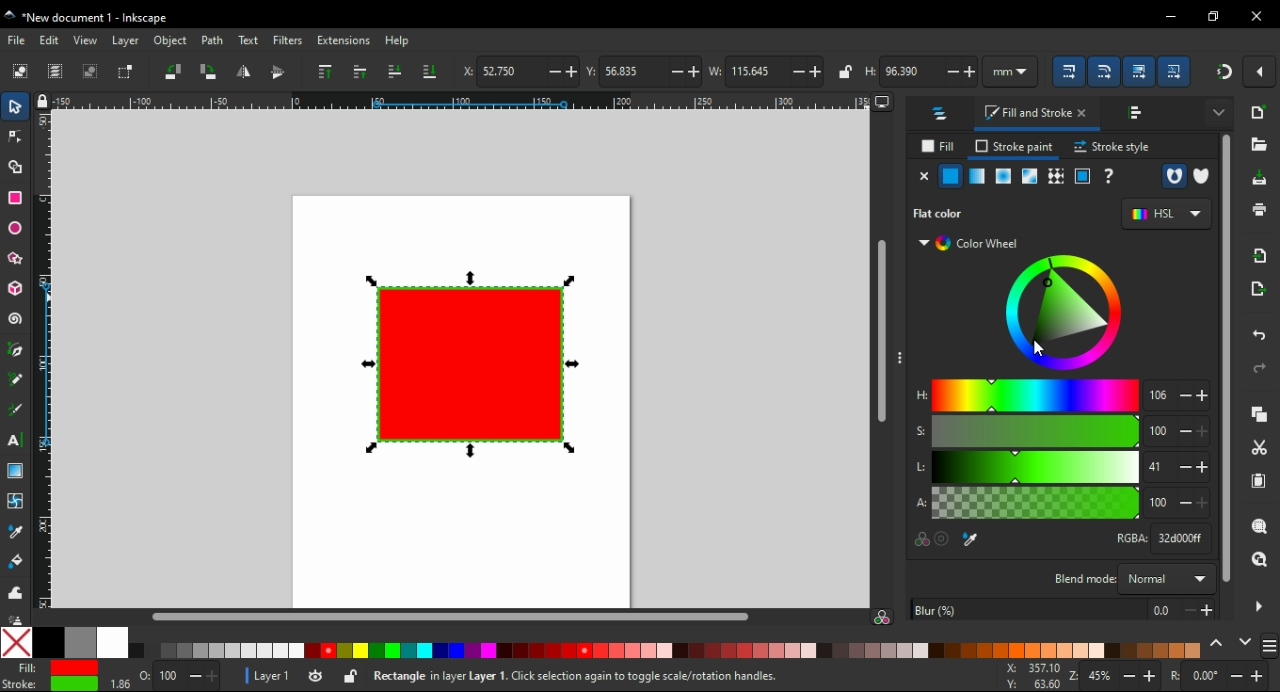  Describe the element at coordinates (397, 42) in the screenshot. I see `help` at that location.